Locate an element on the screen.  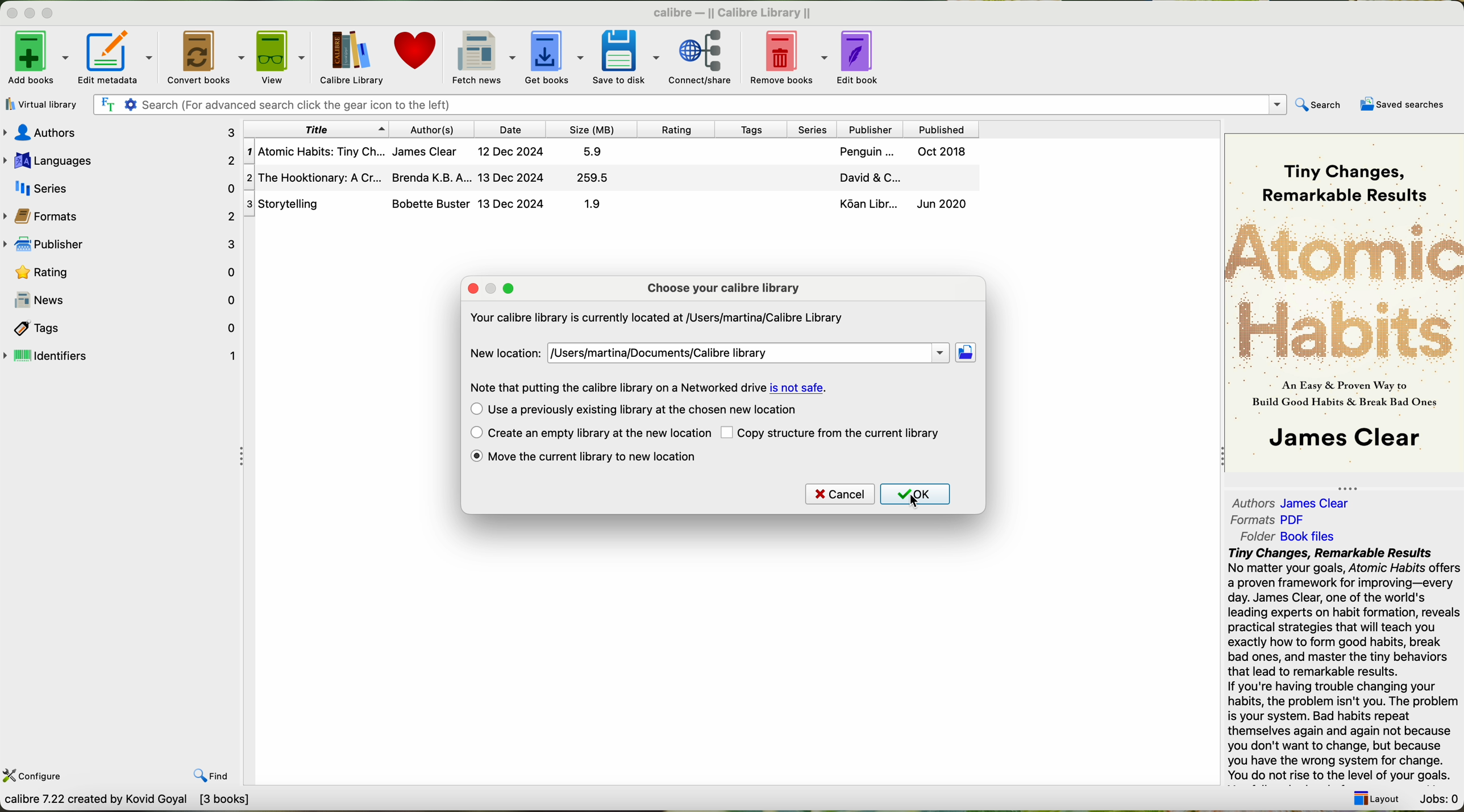
tags is located at coordinates (121, 328).